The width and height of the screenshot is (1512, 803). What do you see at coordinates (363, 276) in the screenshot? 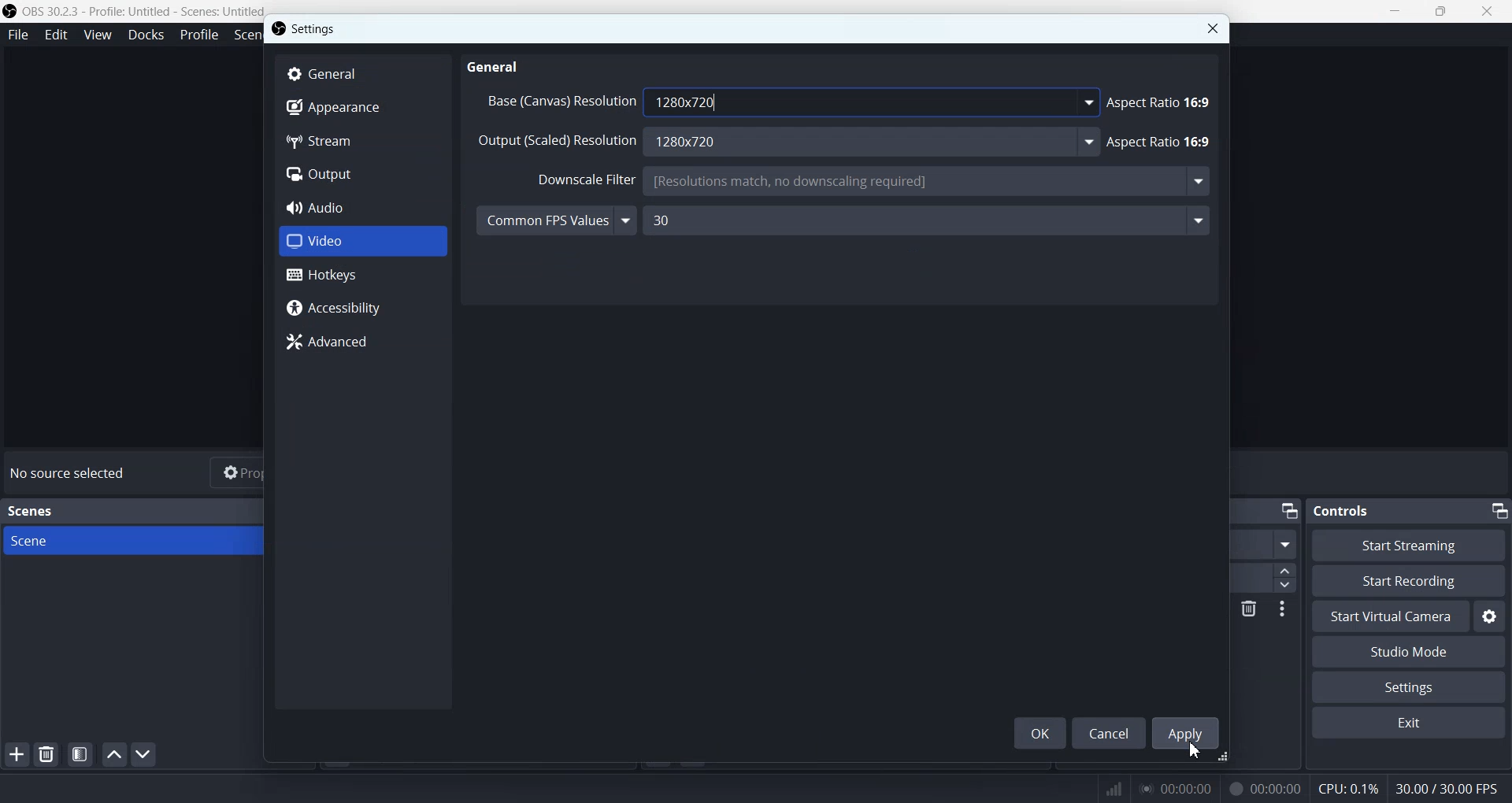
I see `Hotkeys` at bounding box center [363, 276].